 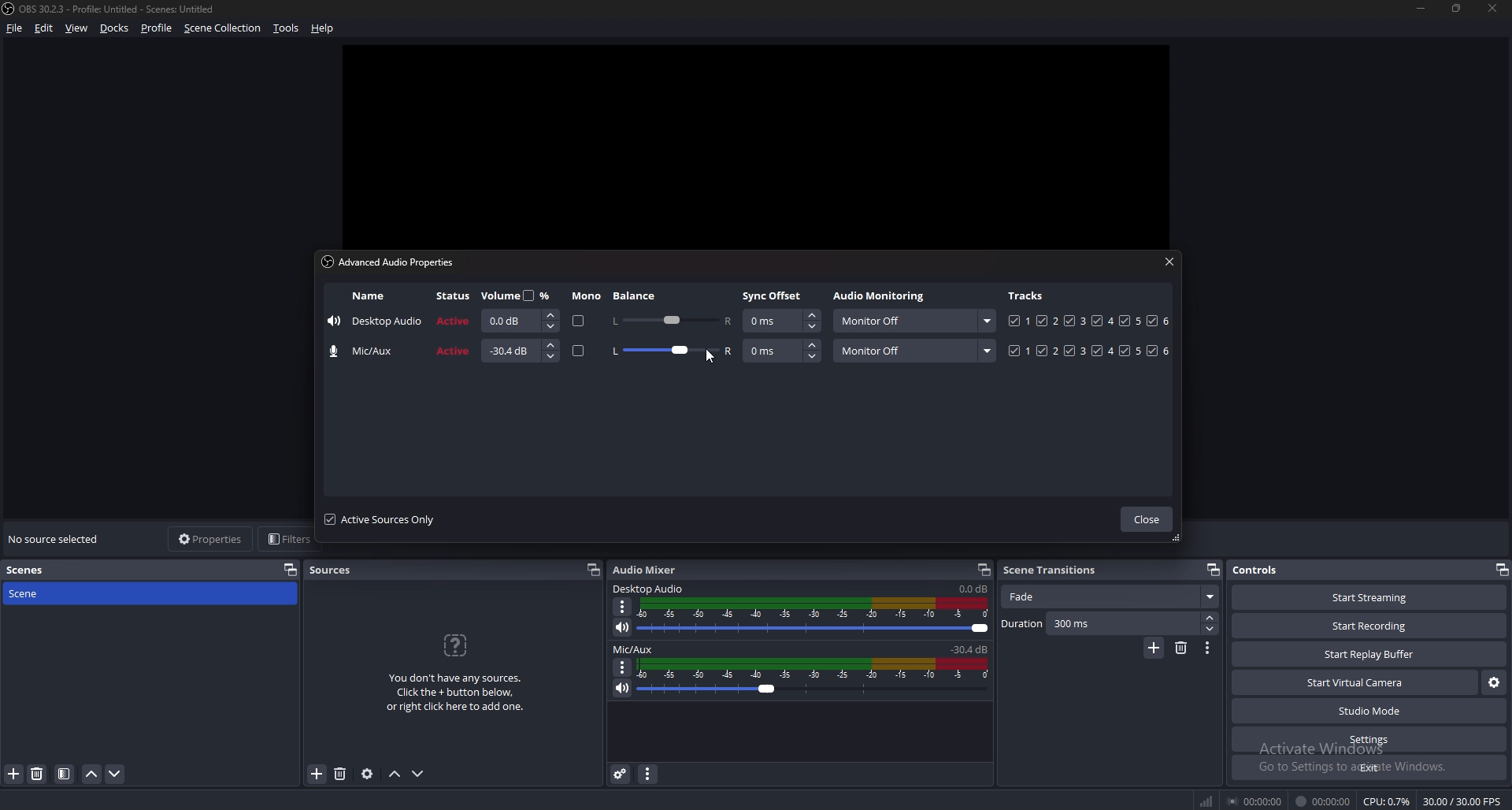 I want to click on name, so click(x=368, y=295).